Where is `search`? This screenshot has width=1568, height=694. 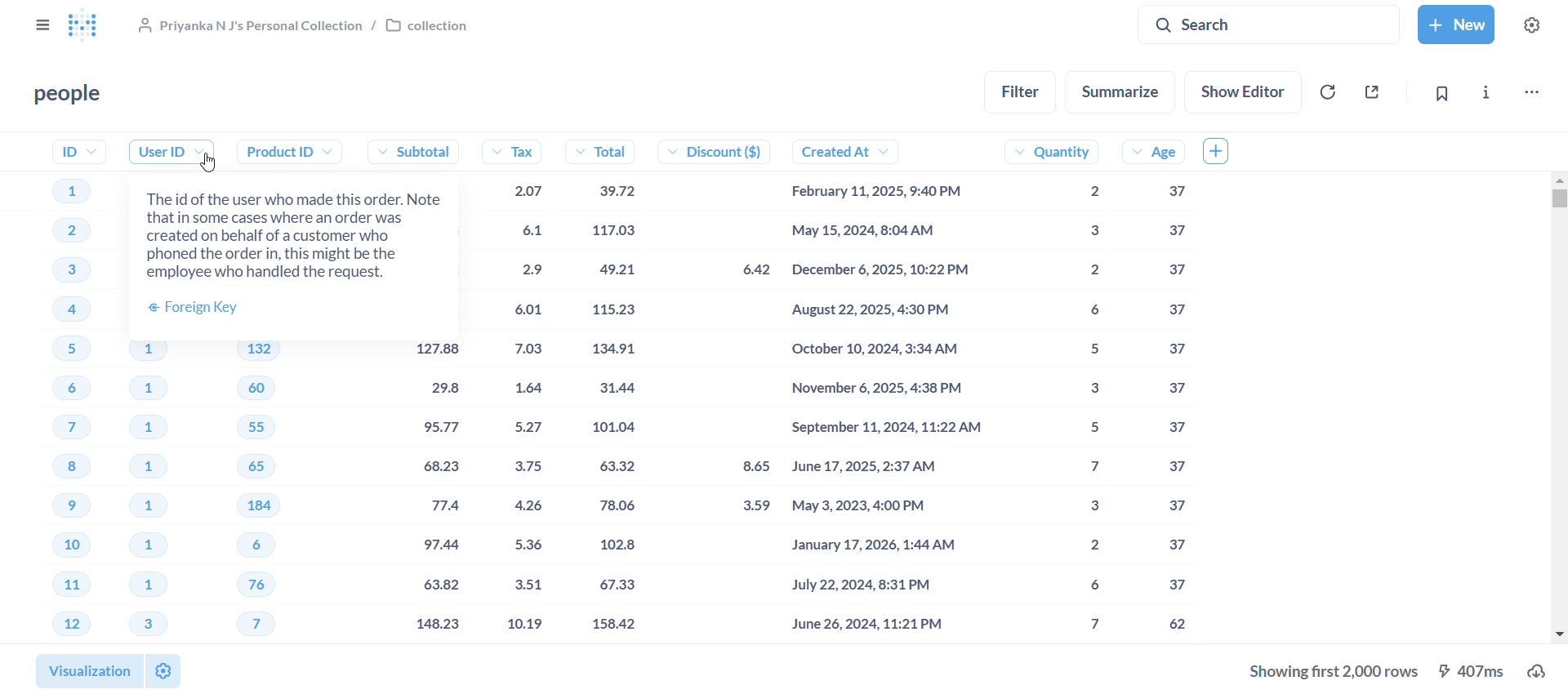
search is located at coordinates (1271, 25).